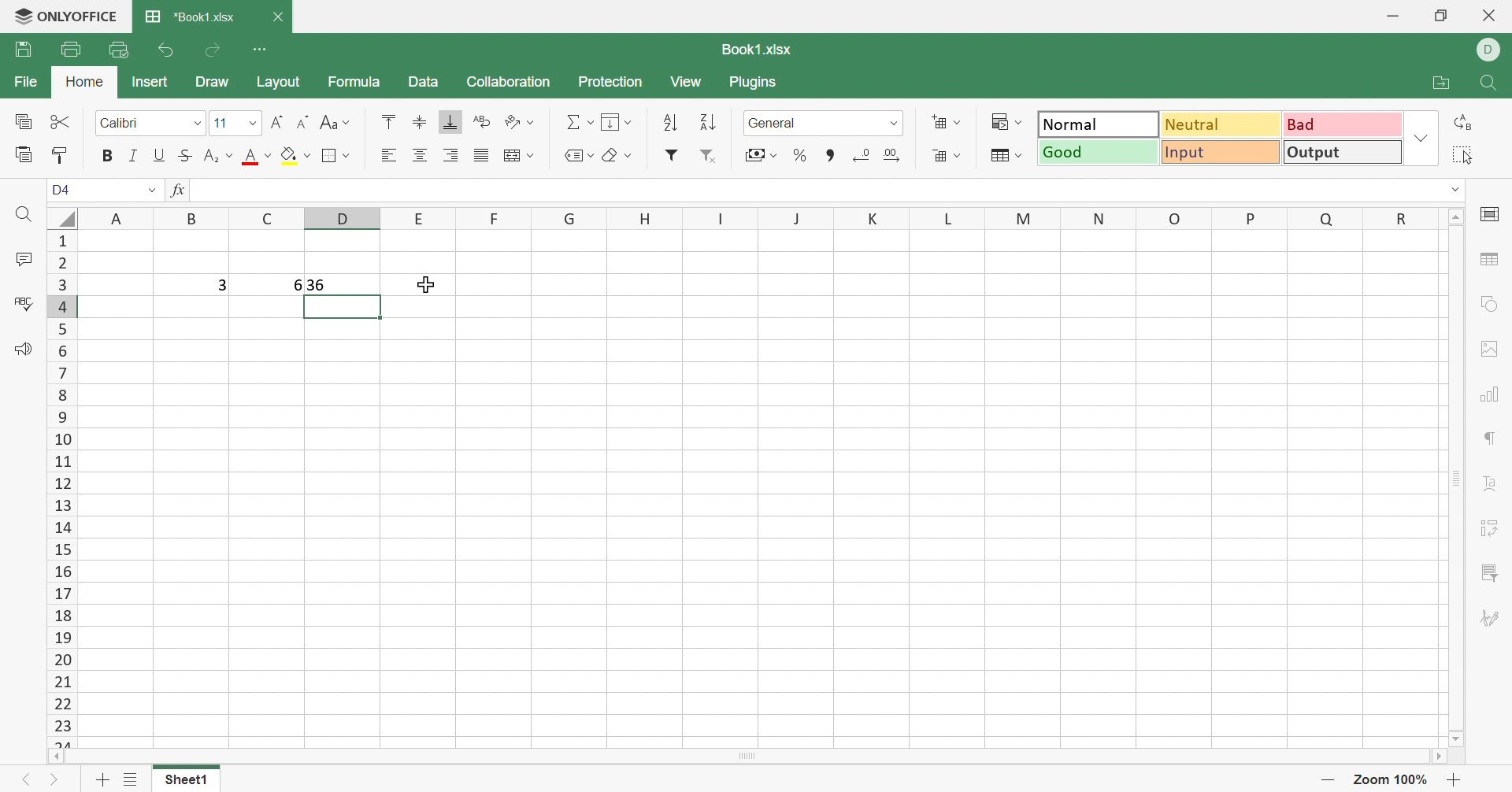 The height and width of the screenshot is (792, 1512). I want to click on Cursor, so click(428, 285).